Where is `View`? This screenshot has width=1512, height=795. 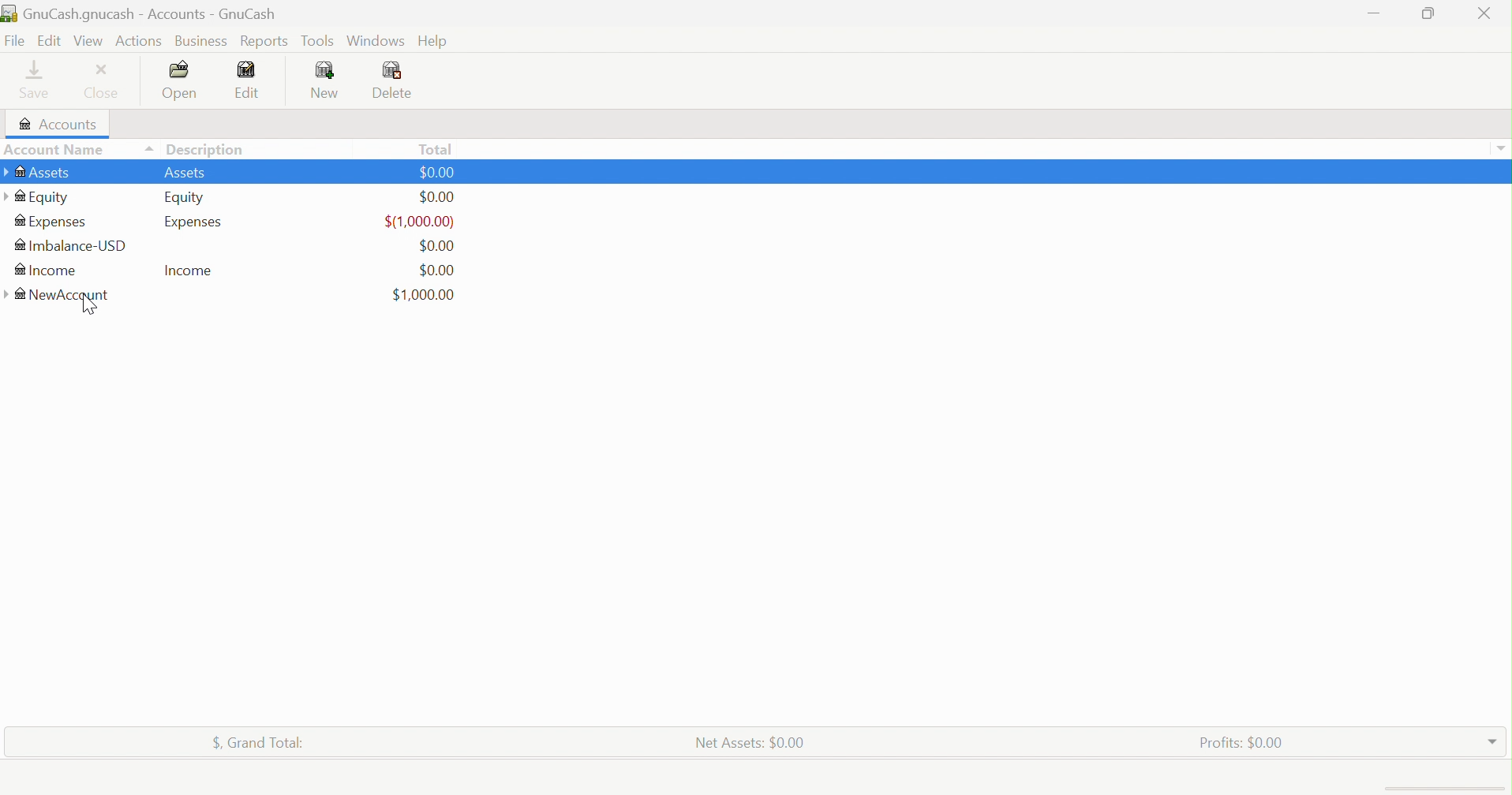
View is located at coordinates (88, 40).